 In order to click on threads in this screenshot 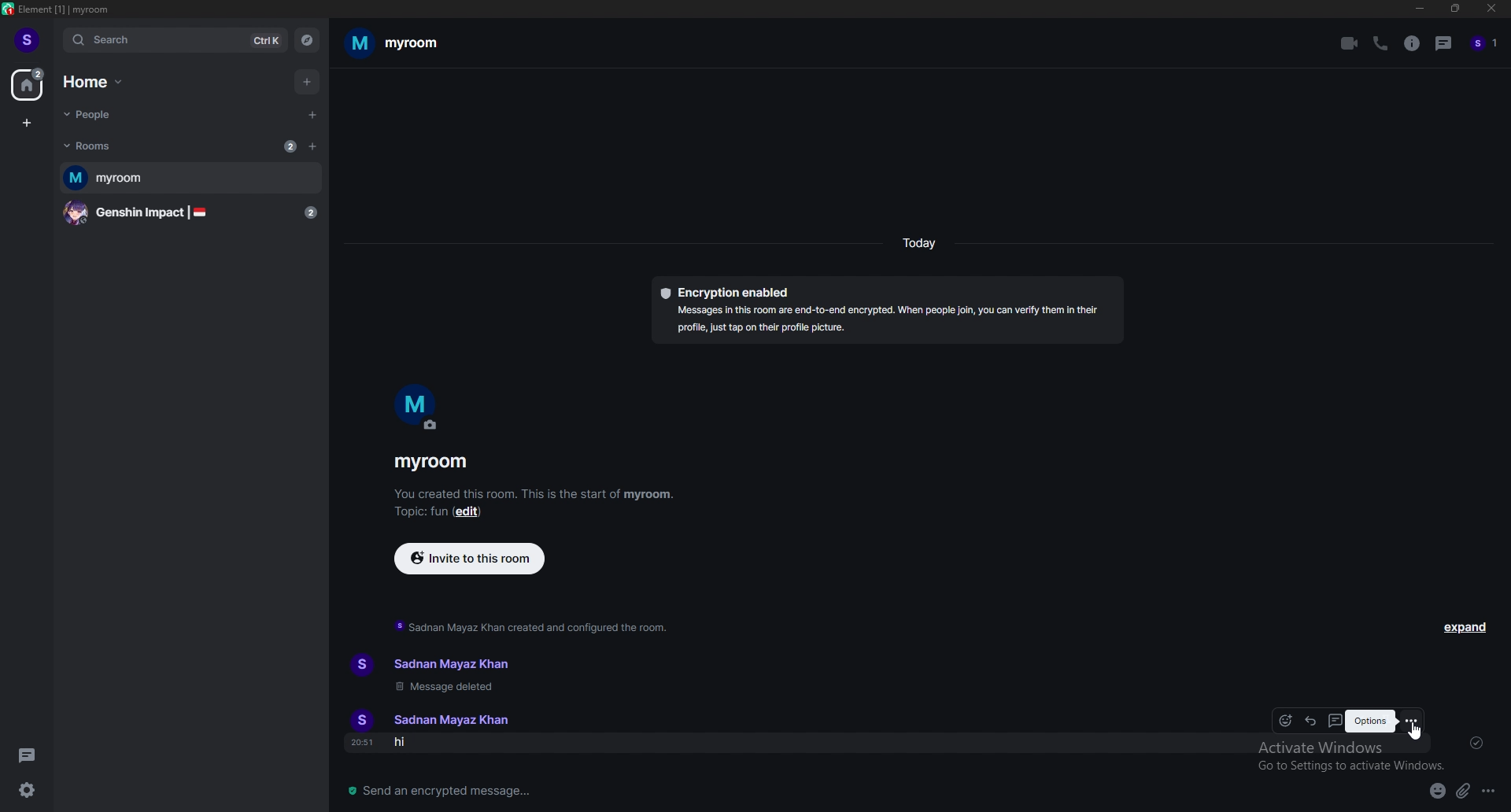, I will do `click(31, 755)`.